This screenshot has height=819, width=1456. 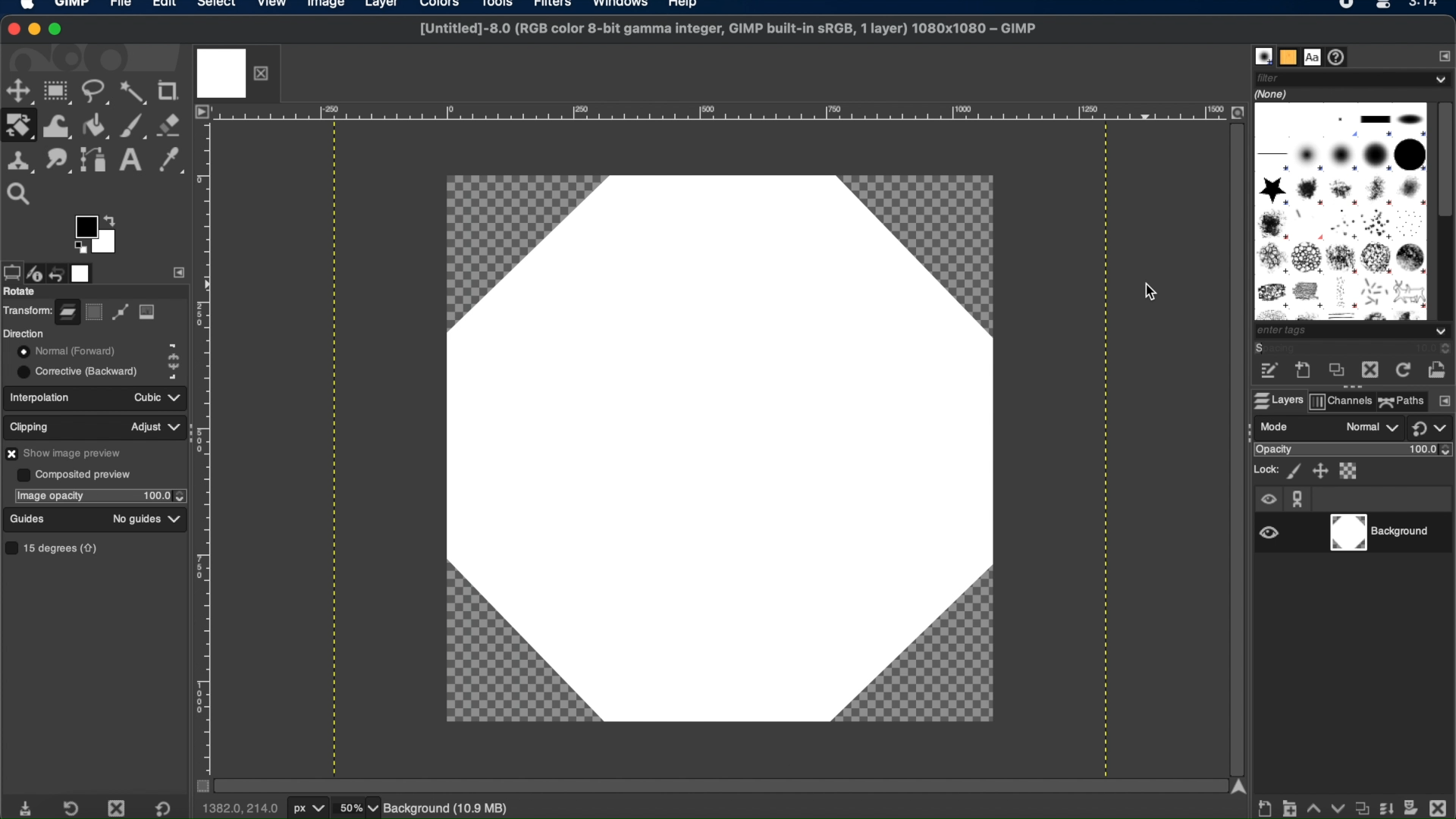 I want to click on fuzzy select tool, so click(x=134, y=93).